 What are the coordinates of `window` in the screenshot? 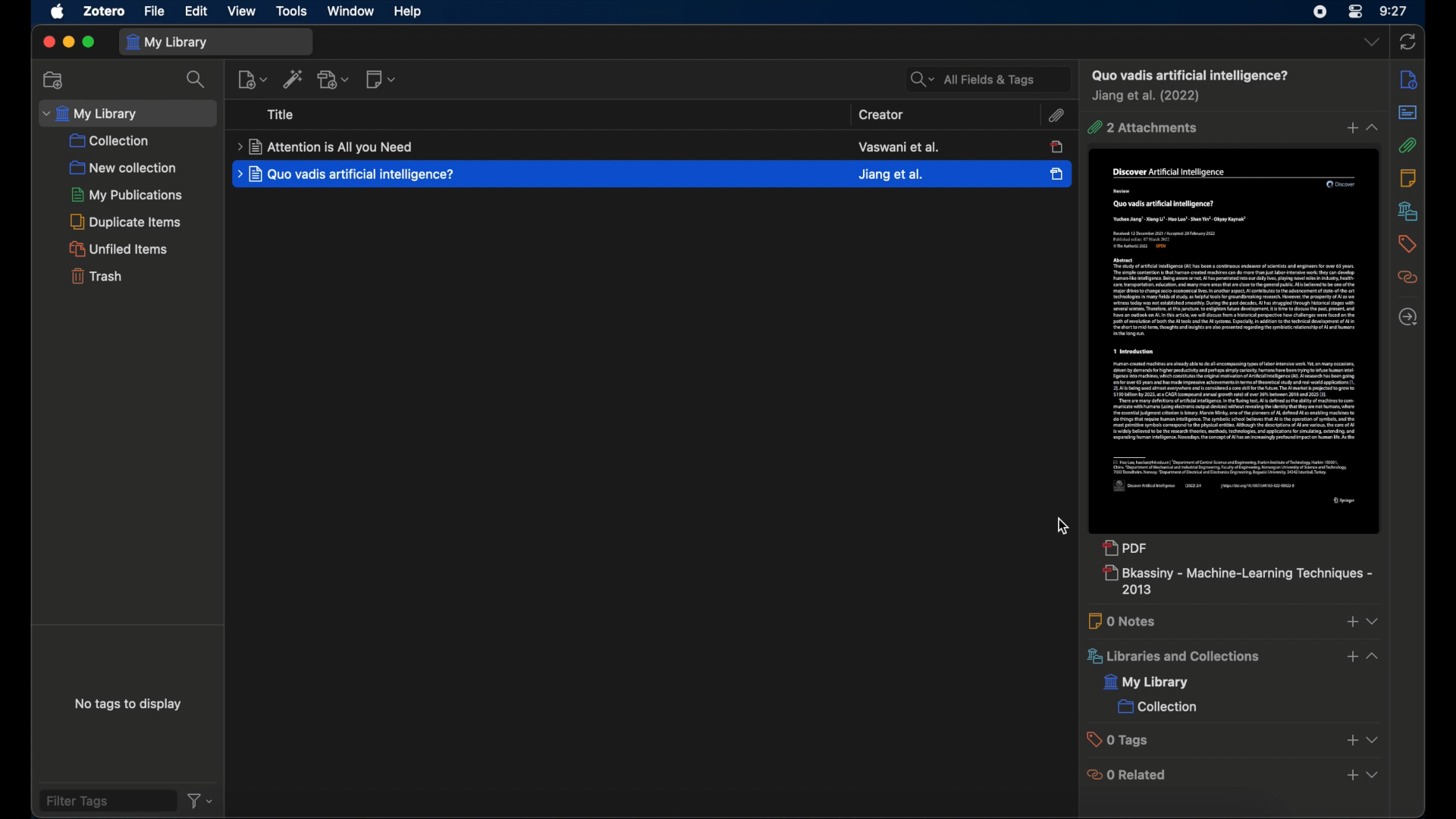 It's located at (350, 11).